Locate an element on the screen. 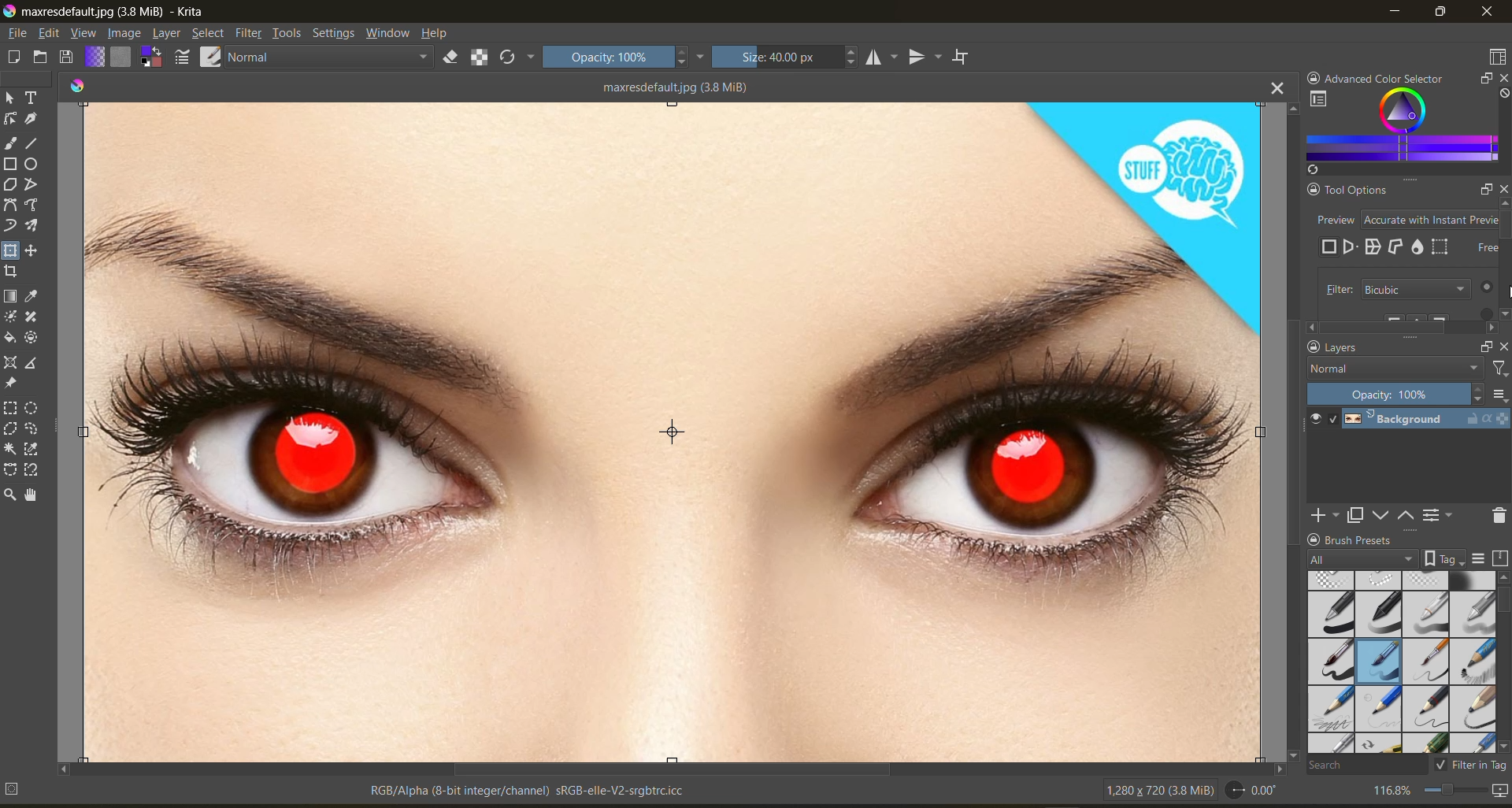  choose brush preset is located at coordinates (213, 55).